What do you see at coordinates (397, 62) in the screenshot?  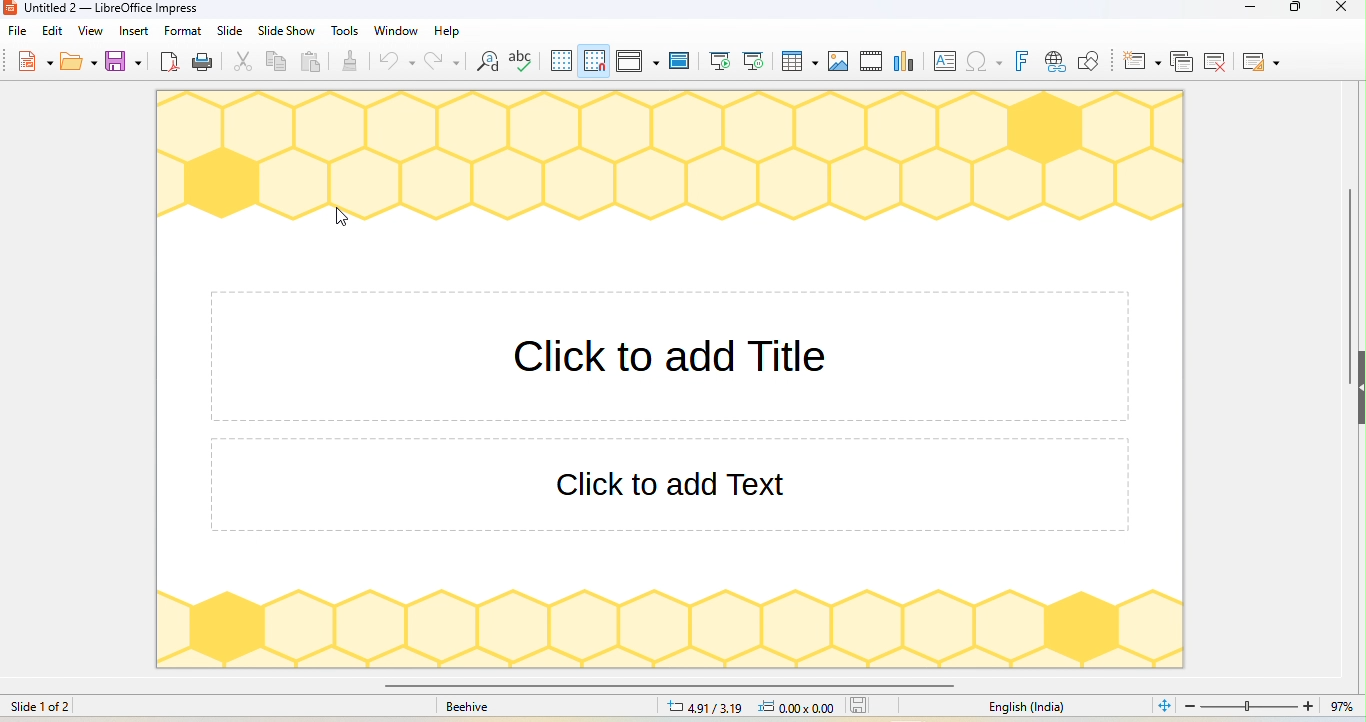 I see `undo` at bounding box center [397, 62].